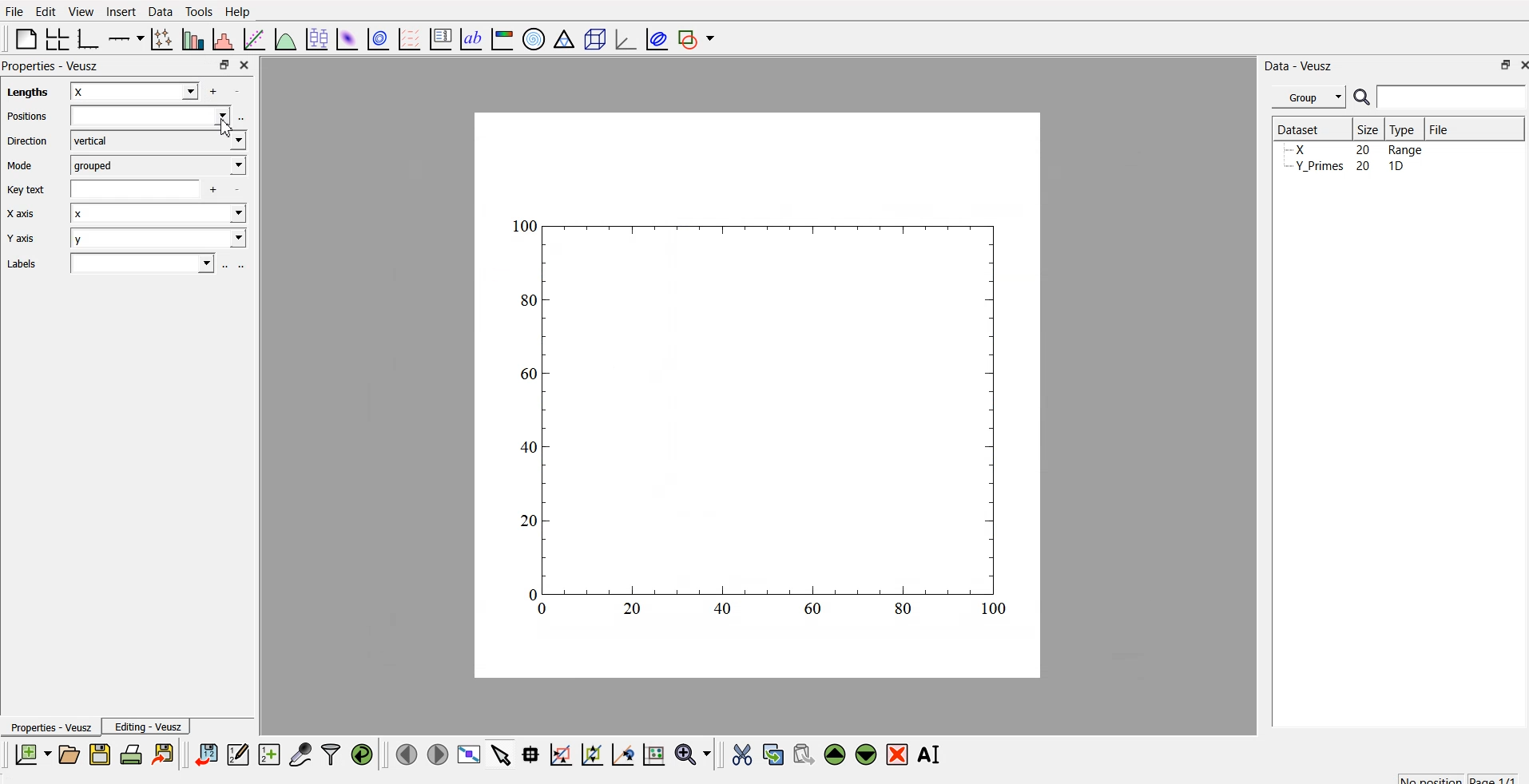  What do you see at coordinates (757, 396) in the screenshot?
I see `canvas` at bounding box center [757, 396].